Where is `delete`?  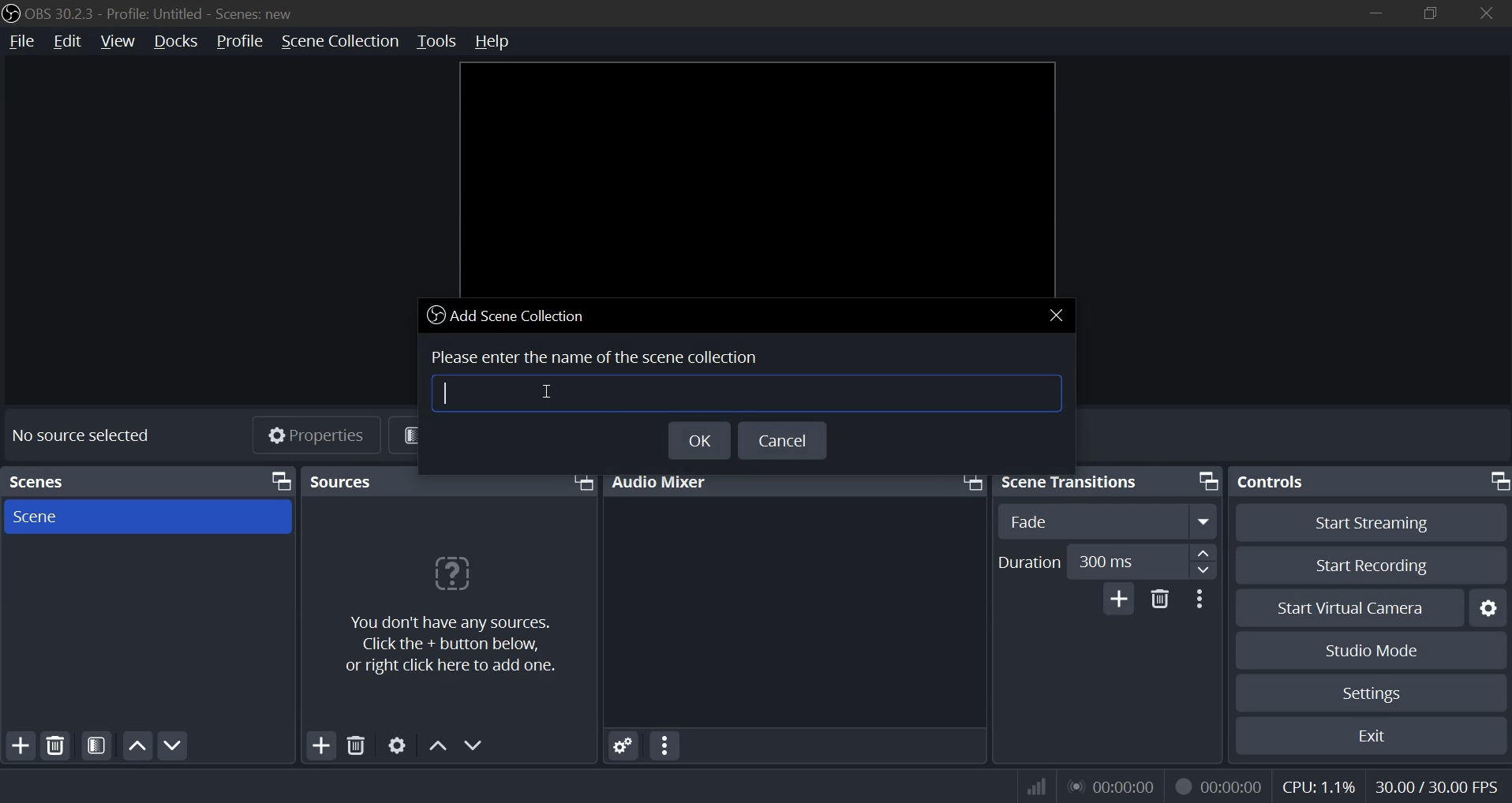
delete is located at coordinates (1160, 602).